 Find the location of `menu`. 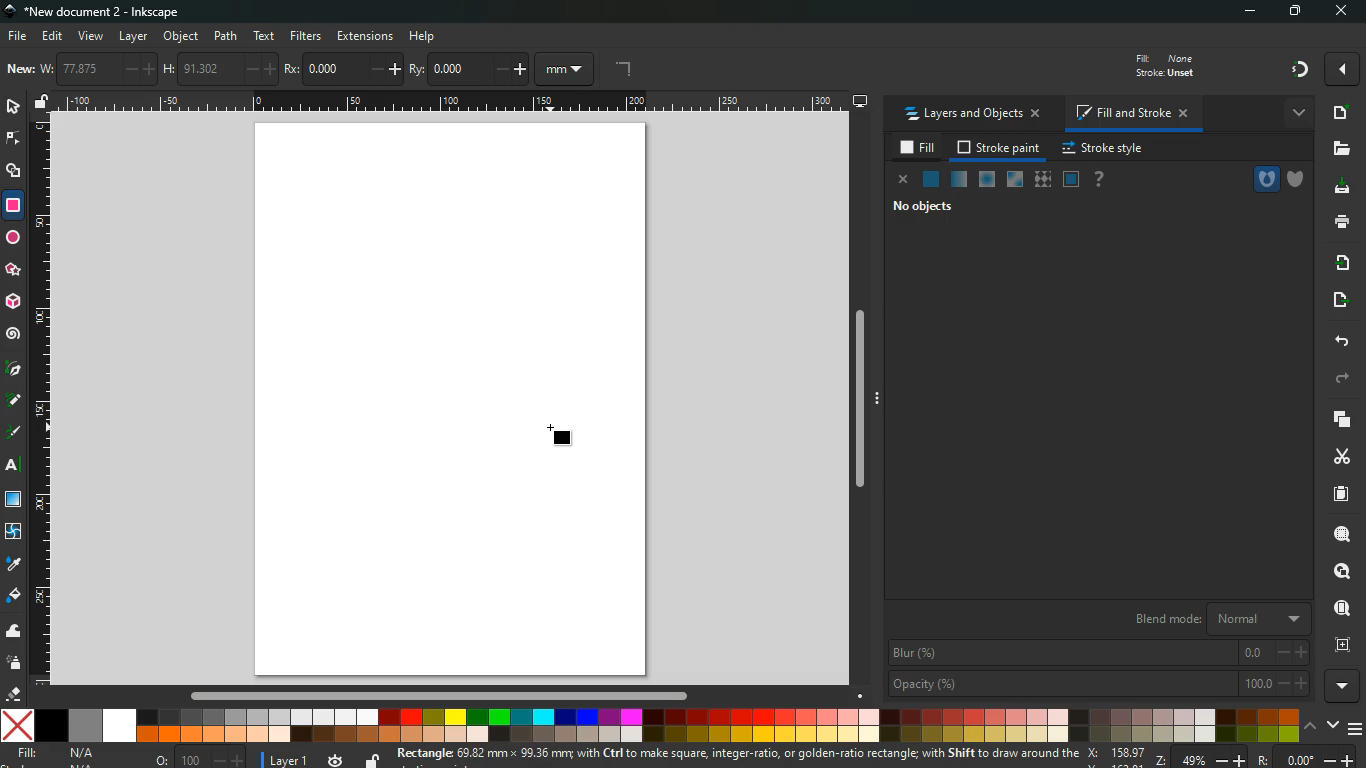

menu is located at coordinates (1356, 729).